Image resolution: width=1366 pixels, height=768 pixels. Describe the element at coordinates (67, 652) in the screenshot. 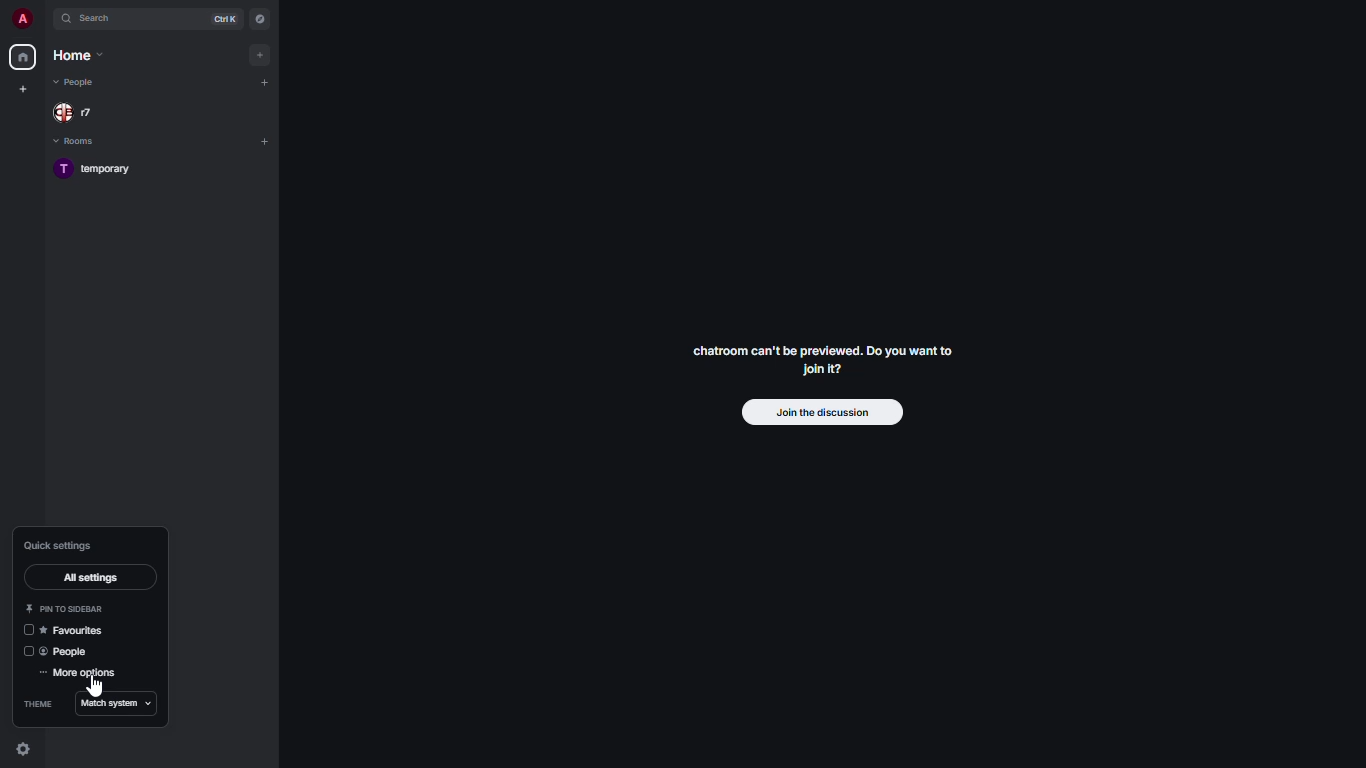

I see `people` at that location.